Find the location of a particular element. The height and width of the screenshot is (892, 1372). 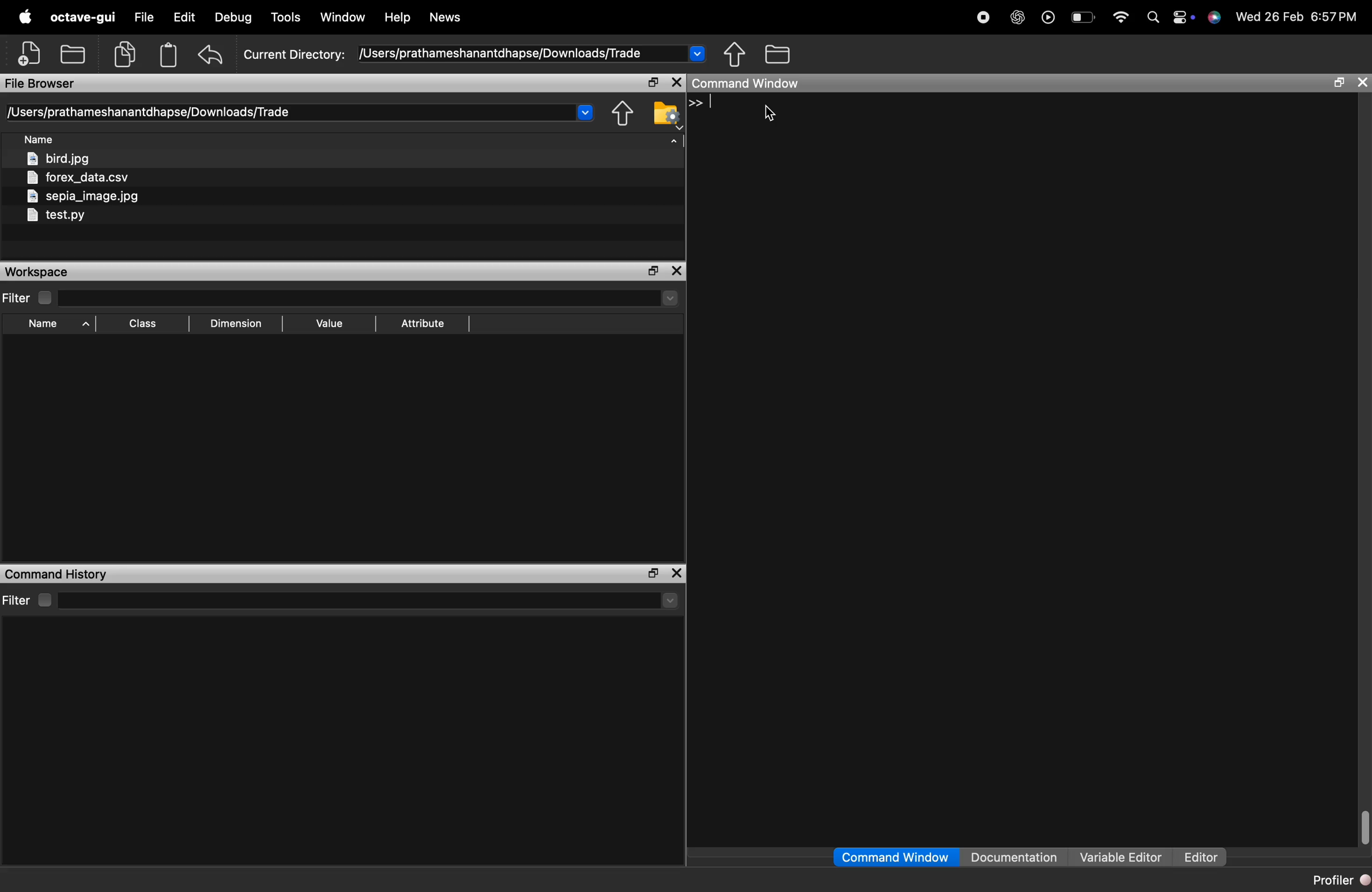

play is located at coordinates (1050, 18).